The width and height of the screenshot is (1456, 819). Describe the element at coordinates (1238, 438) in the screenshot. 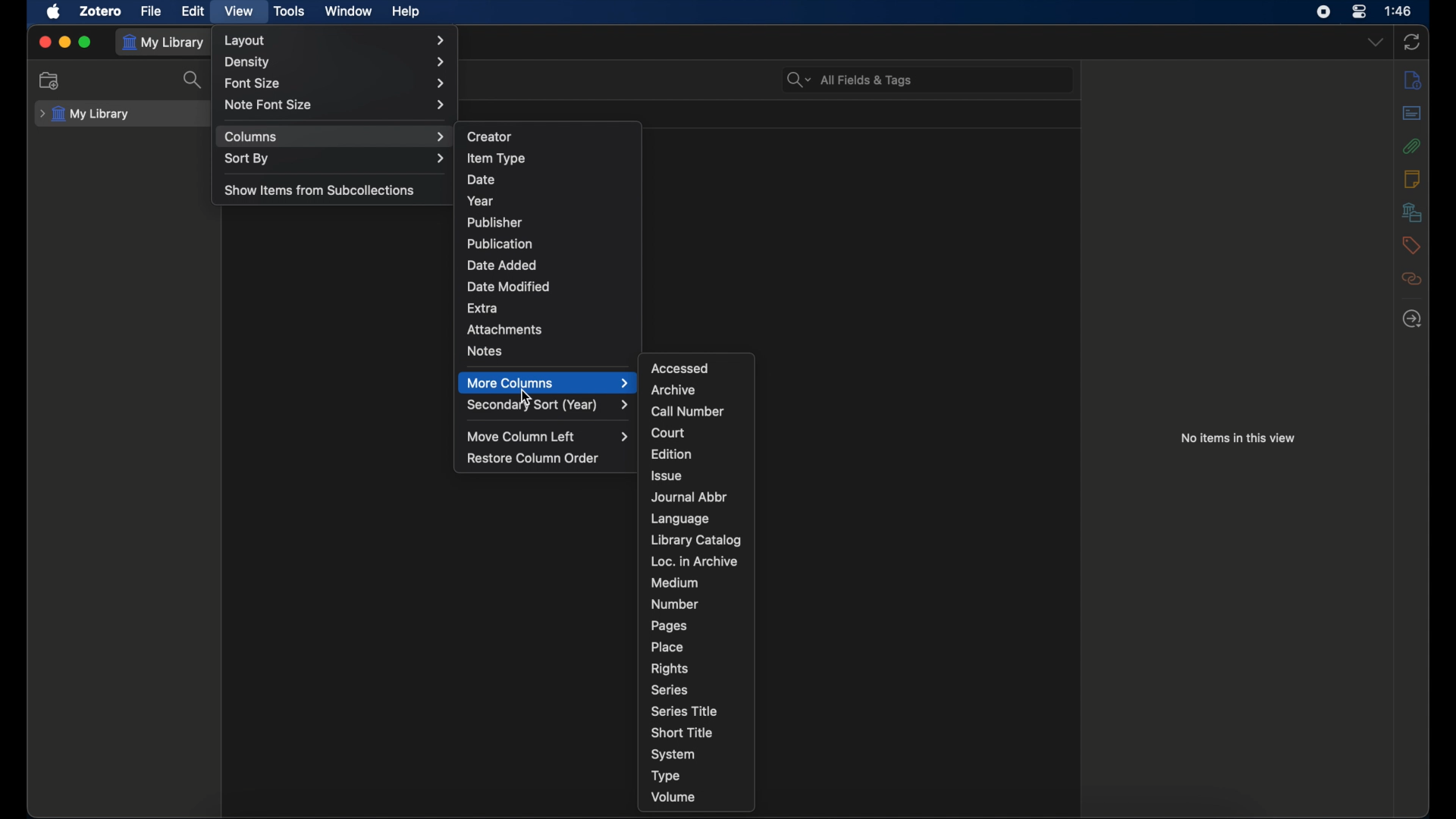

I see `no items in this view` at that location.